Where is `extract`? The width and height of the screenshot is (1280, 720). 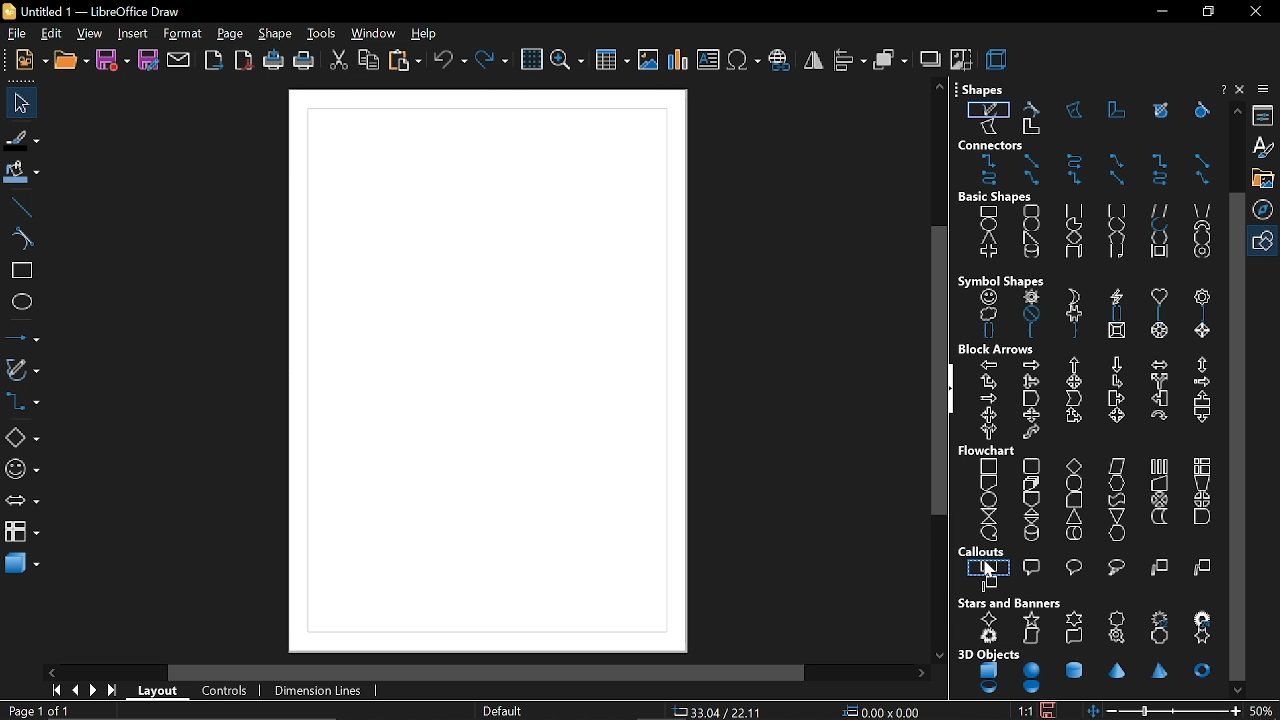
extract is located at coordinates (1074, 517).